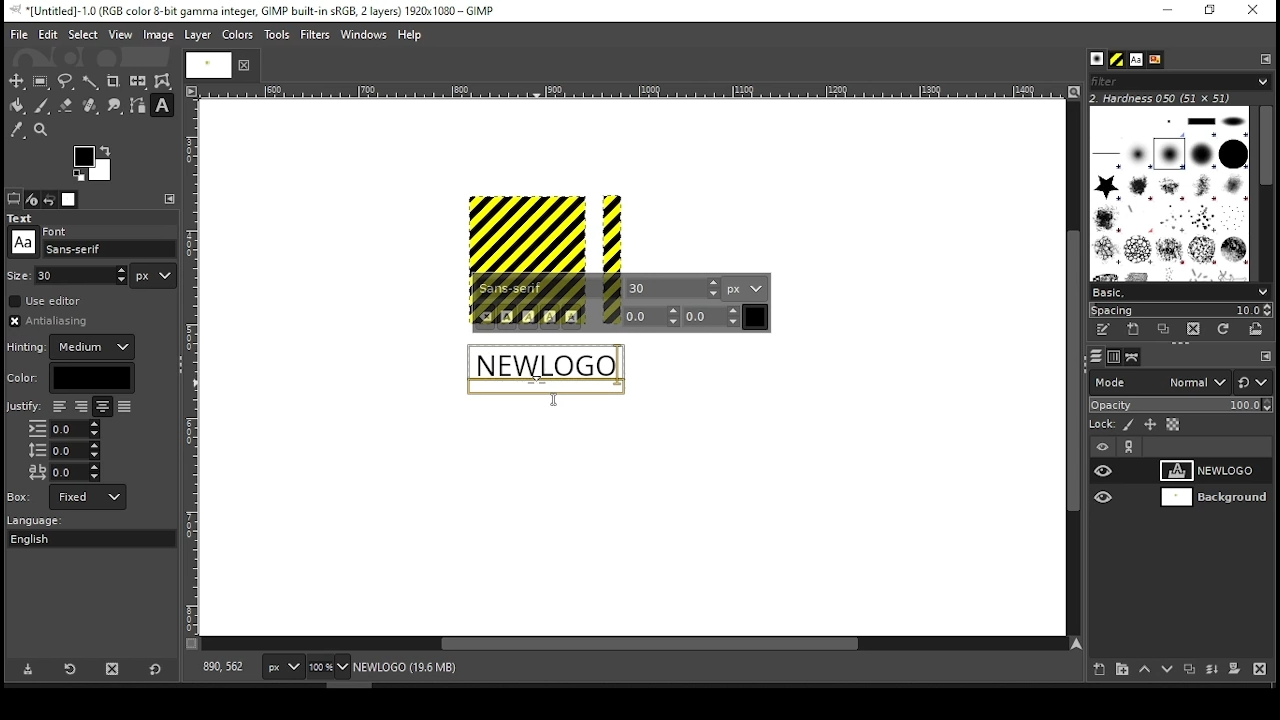 The width and height of the screenshot is (1280, 720). What do you see at coordinates (23, 218) in the screenshot?
I see `text` at bounding box center [23, 218].